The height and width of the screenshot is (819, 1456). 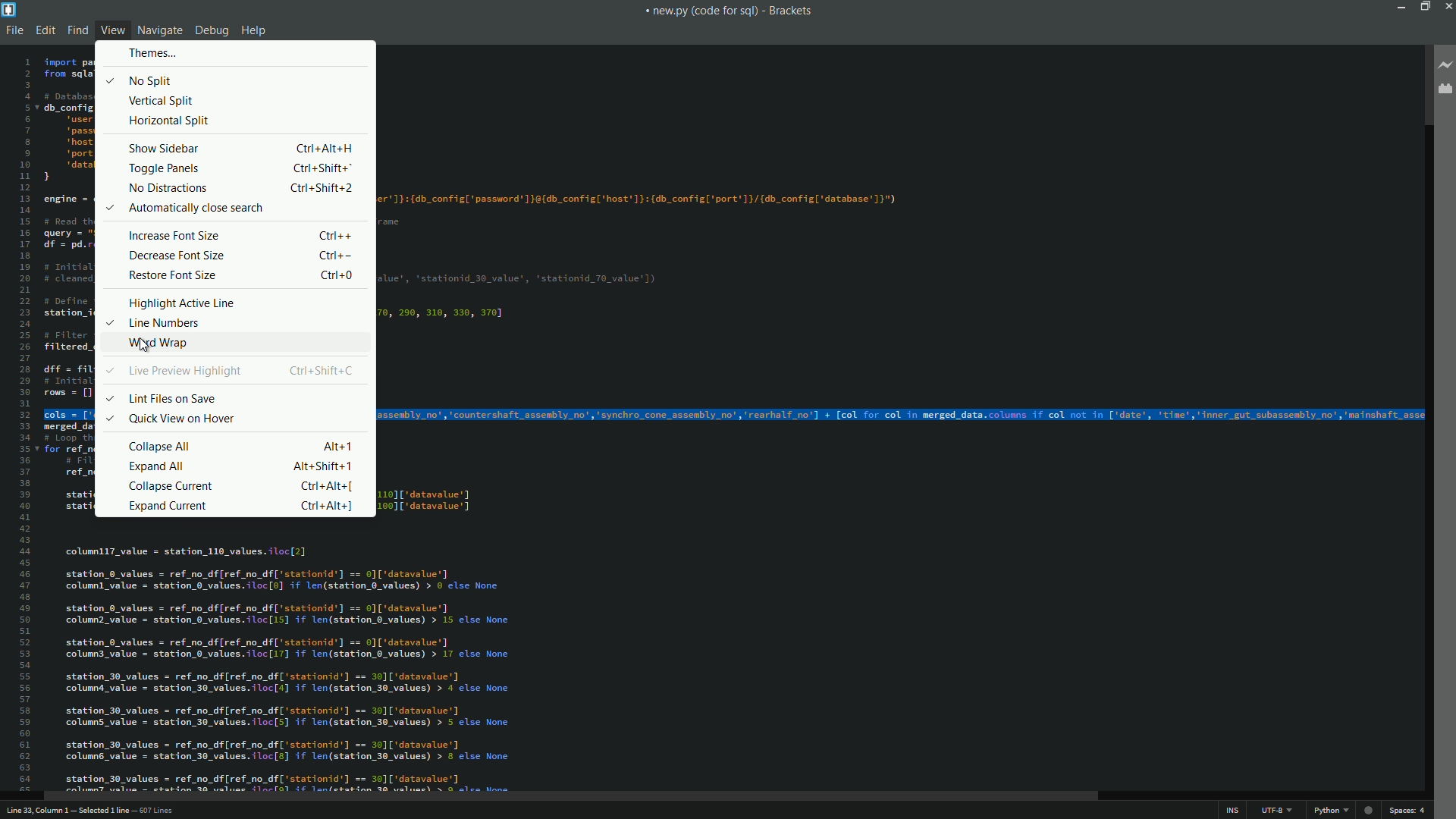 I want to click on keyboard shortcut, so click(x=322, y=369).